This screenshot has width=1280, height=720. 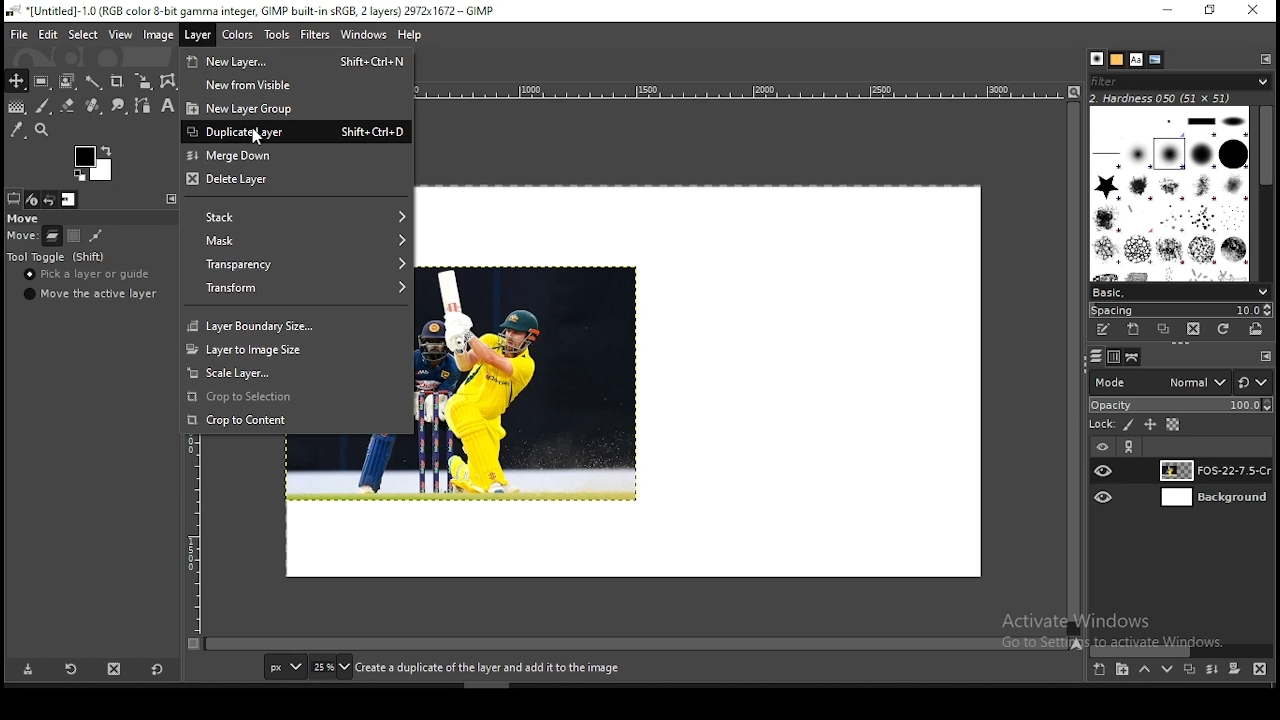 I want to click on crop to content, so click(x=295, y=419).